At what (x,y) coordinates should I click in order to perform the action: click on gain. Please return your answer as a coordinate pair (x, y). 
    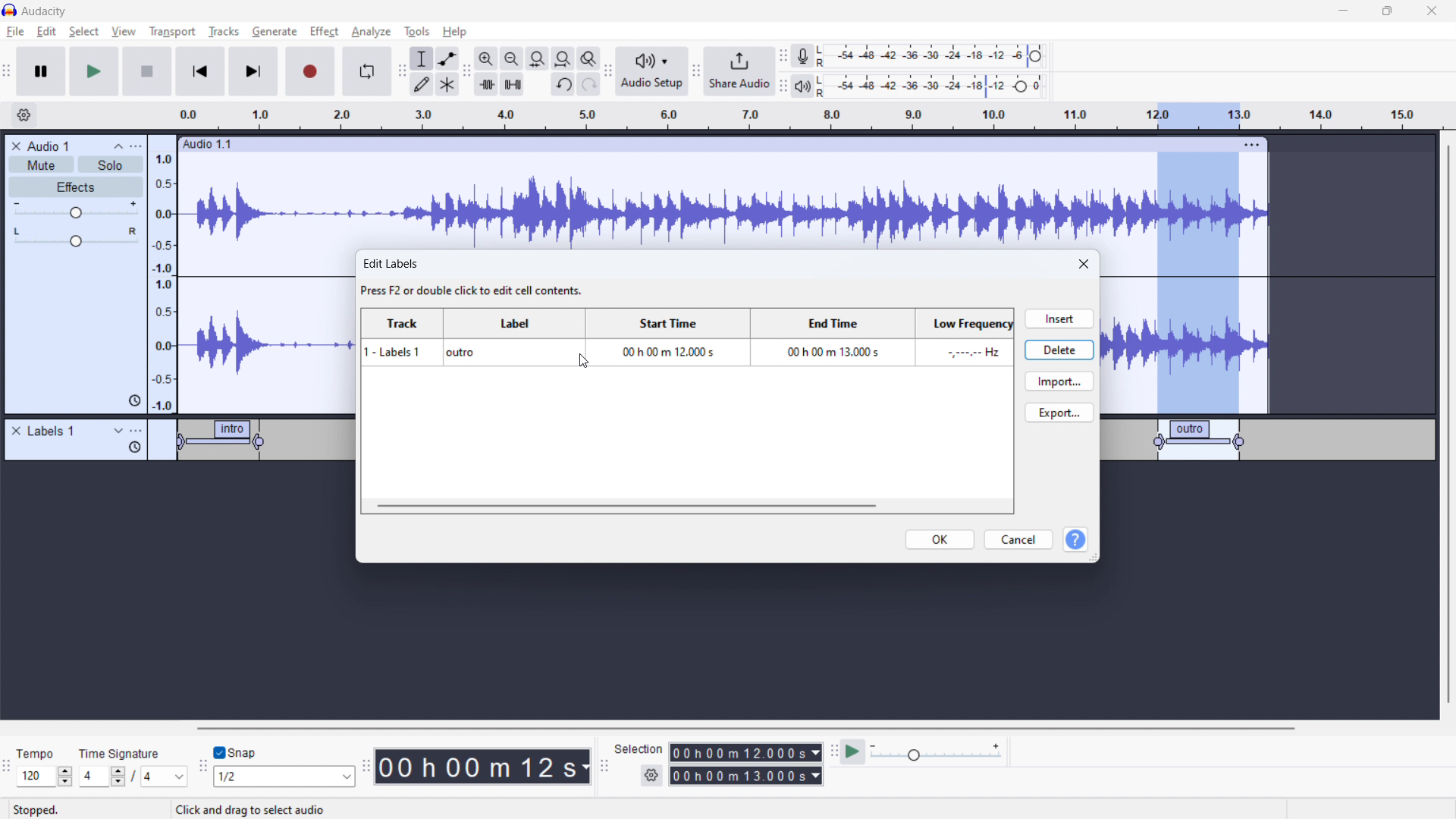
    Looking at the image, I should click on (76, 210).